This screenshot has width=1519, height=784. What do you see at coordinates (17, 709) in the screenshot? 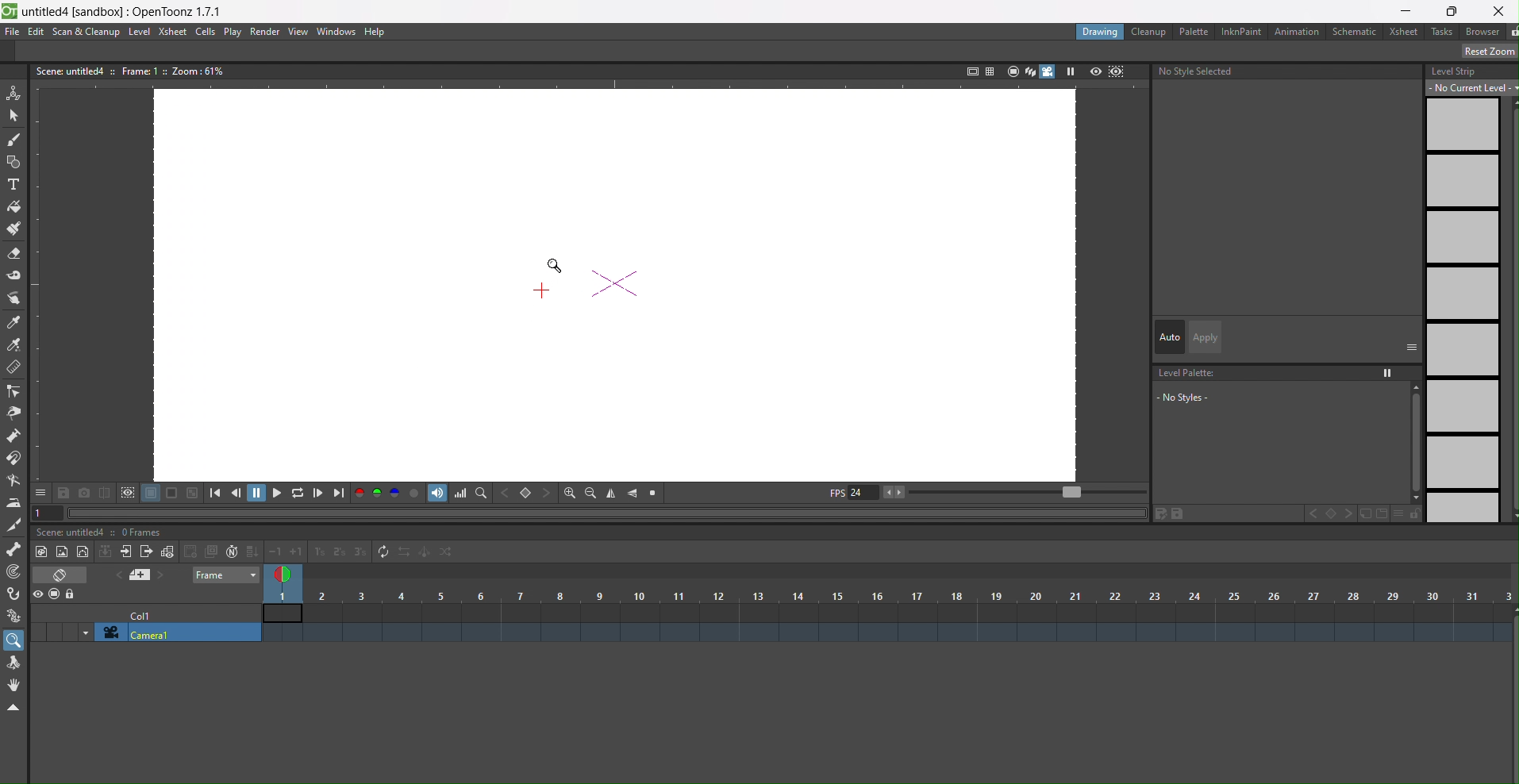
I see `hide toolbar` at bounding box center [17, 709].